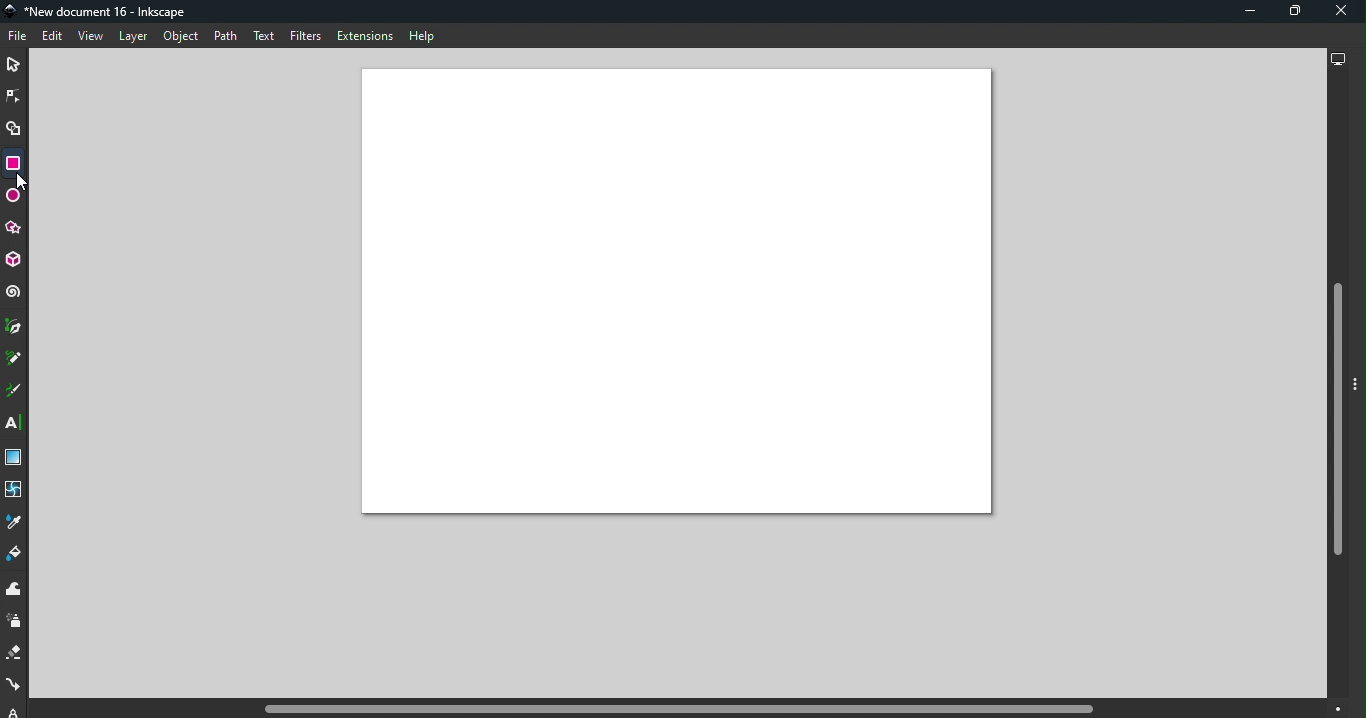  Describe the element at coordinates (1336, 57) in the screenshot. I see `Display options` at that location.